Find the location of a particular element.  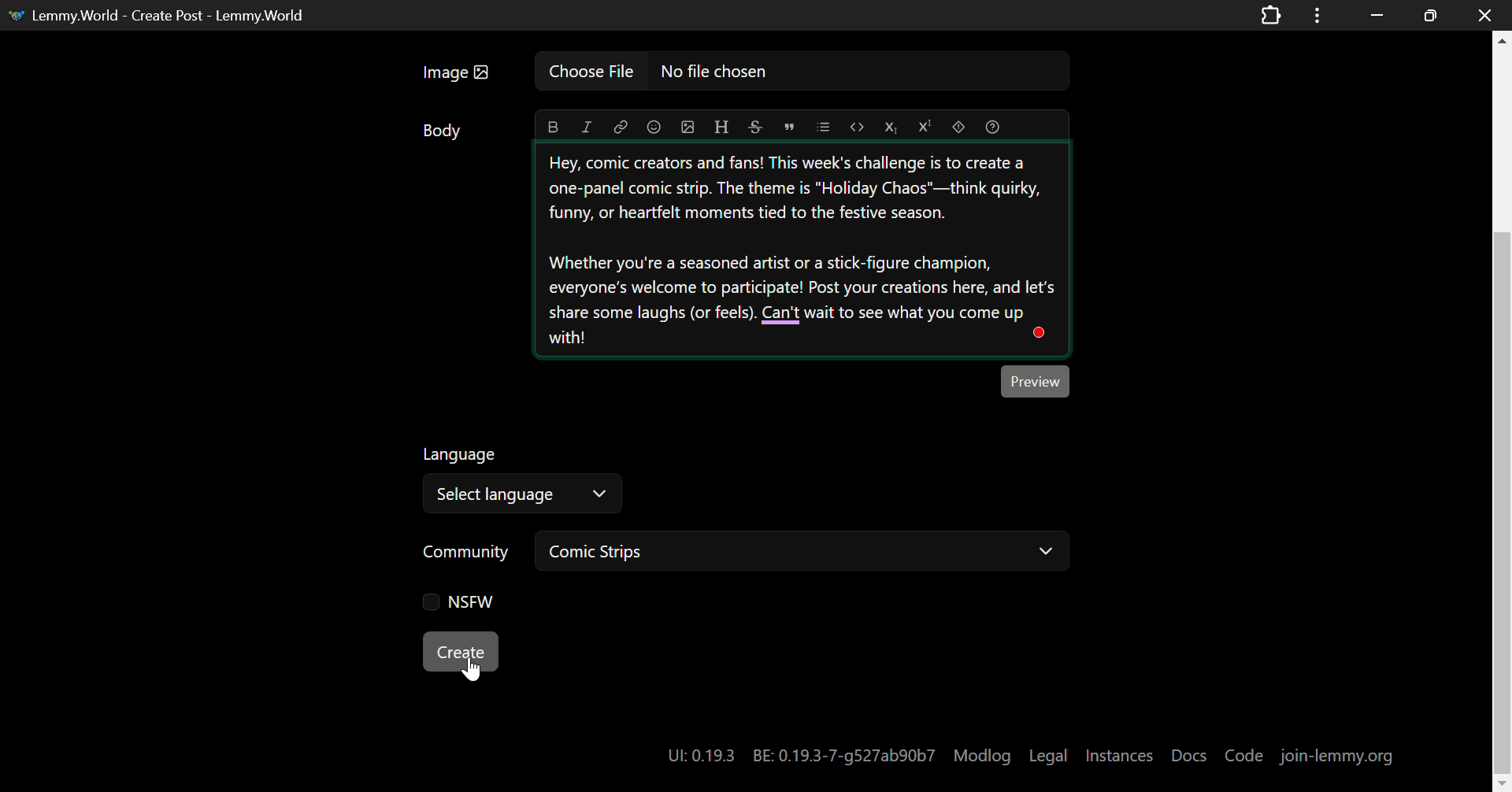

Modlog is located at coordinates (982, 756).